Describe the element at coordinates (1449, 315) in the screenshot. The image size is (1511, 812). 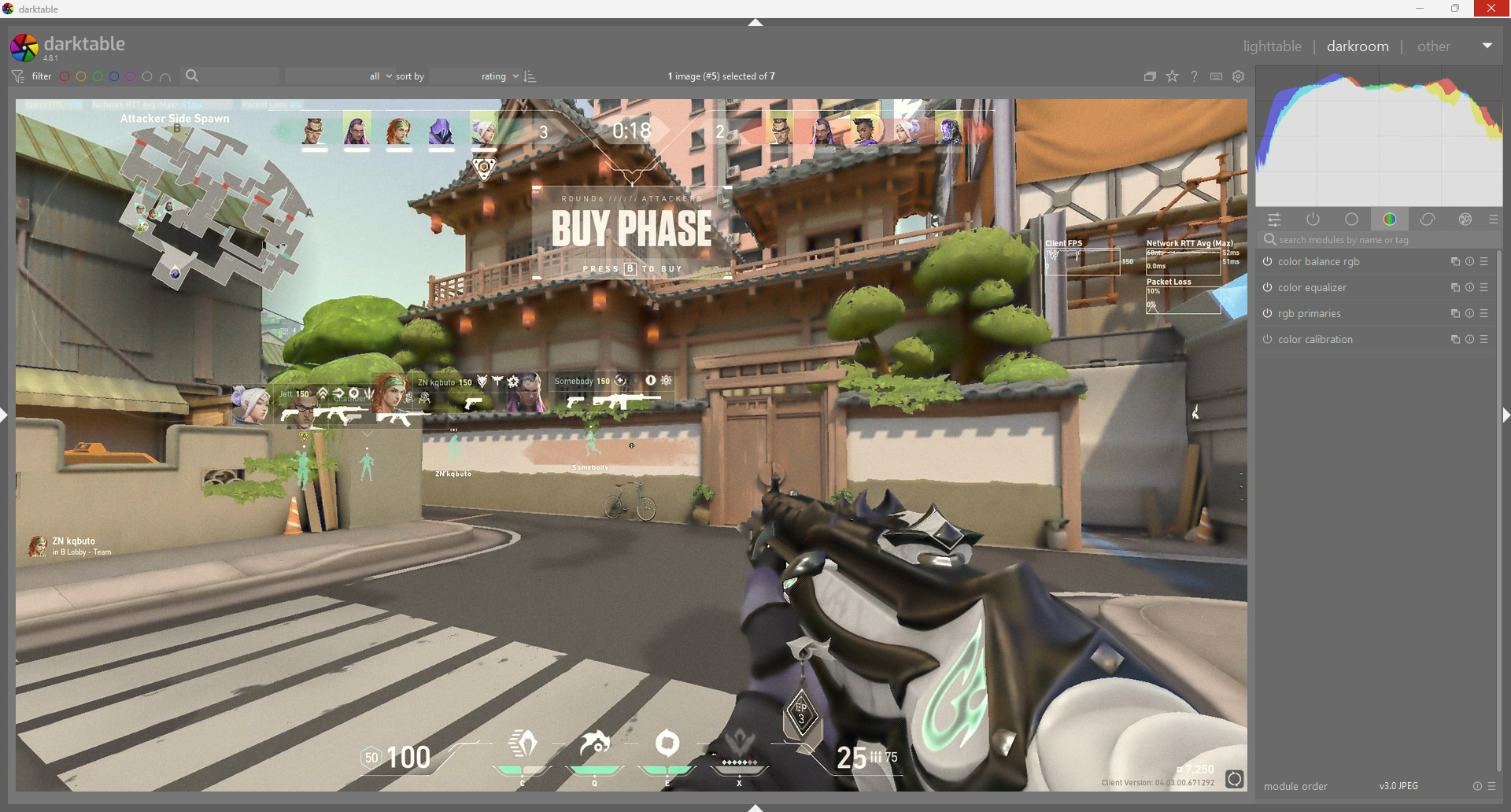
I see `multiple instances action` at that location.